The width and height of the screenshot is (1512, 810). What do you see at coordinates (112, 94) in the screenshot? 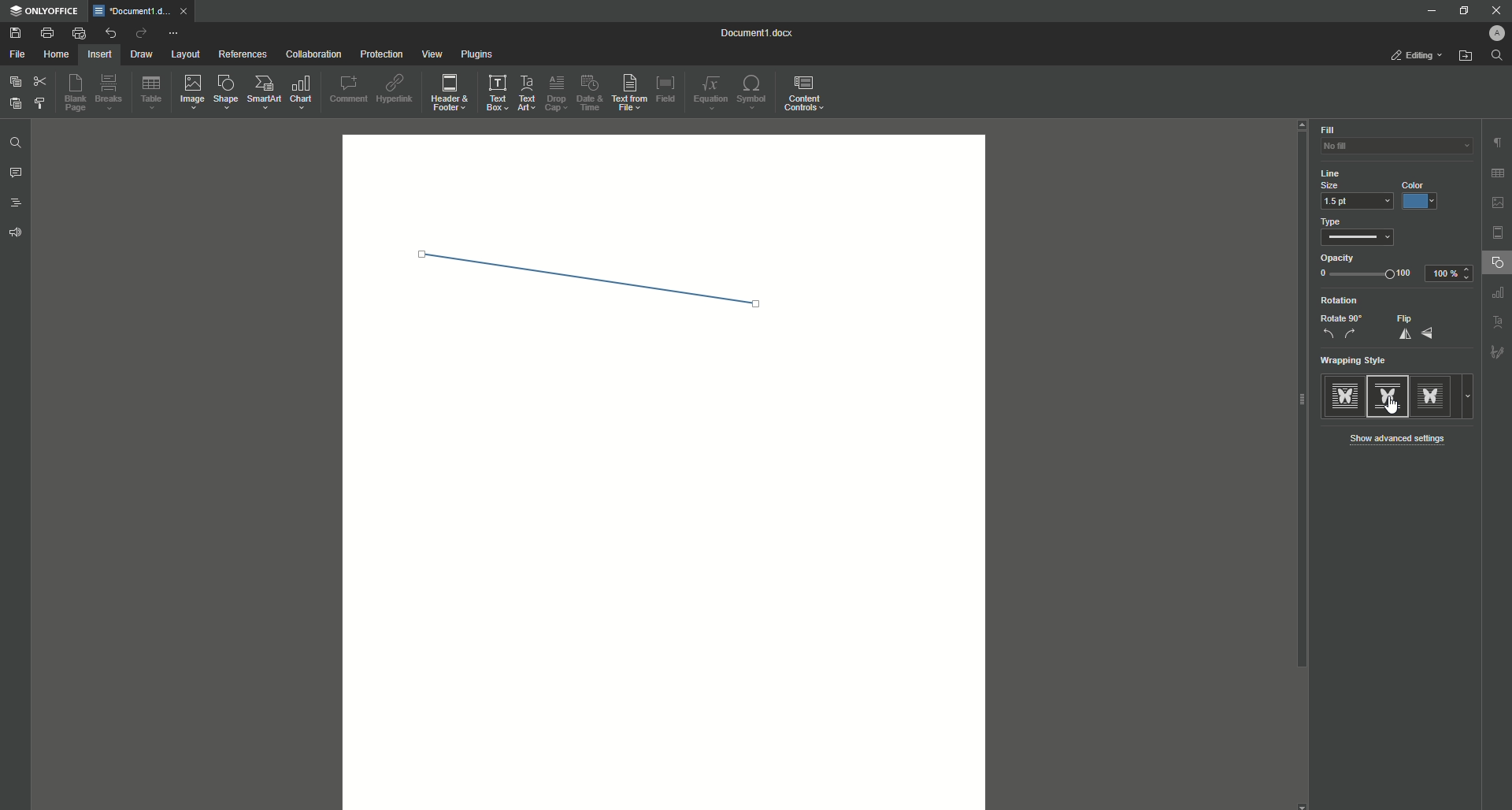
I see `Breaks` at bounding box center [112, 94].